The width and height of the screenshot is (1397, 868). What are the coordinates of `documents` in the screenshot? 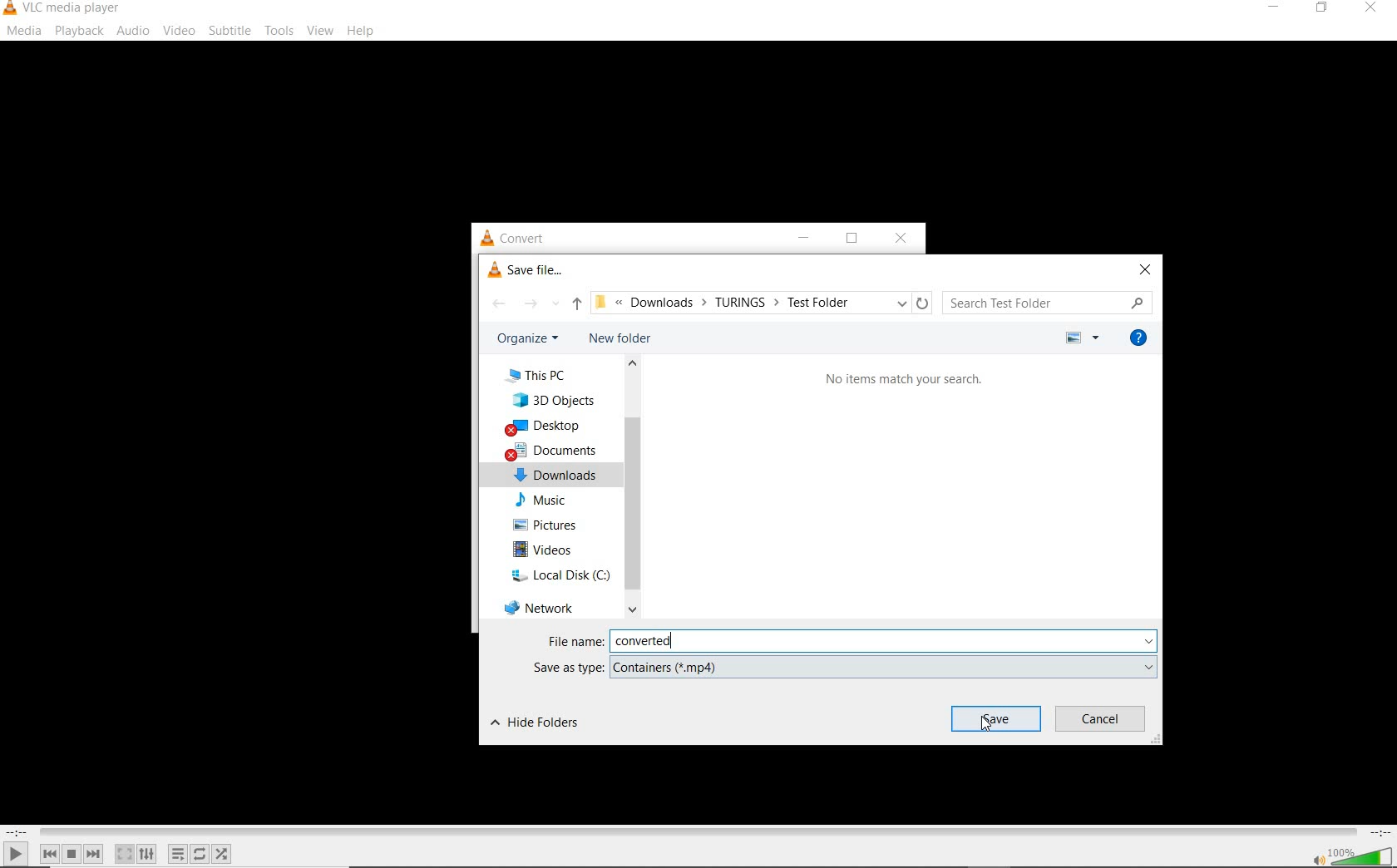 It's located at (553, 450).